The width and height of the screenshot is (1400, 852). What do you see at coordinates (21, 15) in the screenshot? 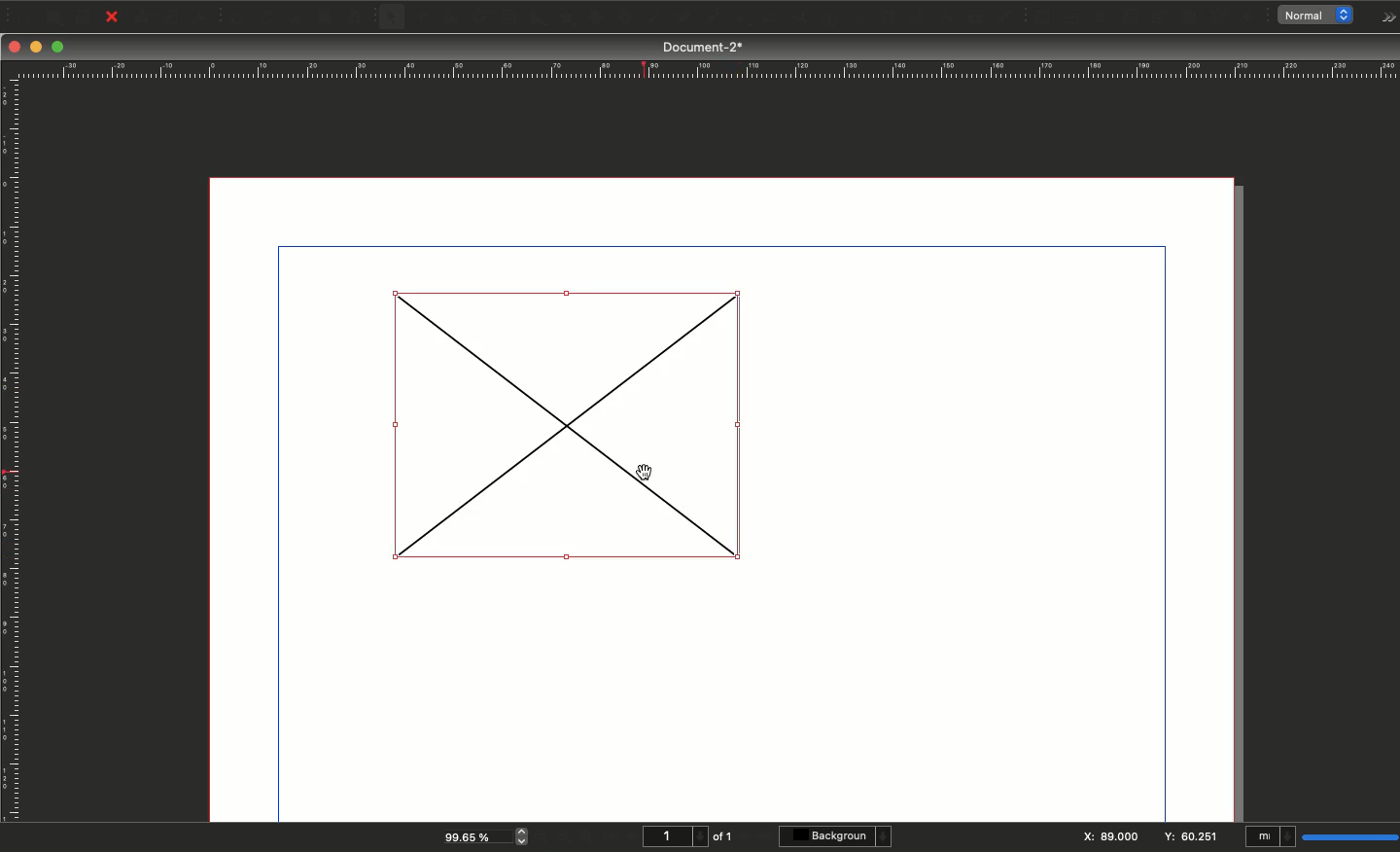
I see `New` at bounding box center [21, 15].